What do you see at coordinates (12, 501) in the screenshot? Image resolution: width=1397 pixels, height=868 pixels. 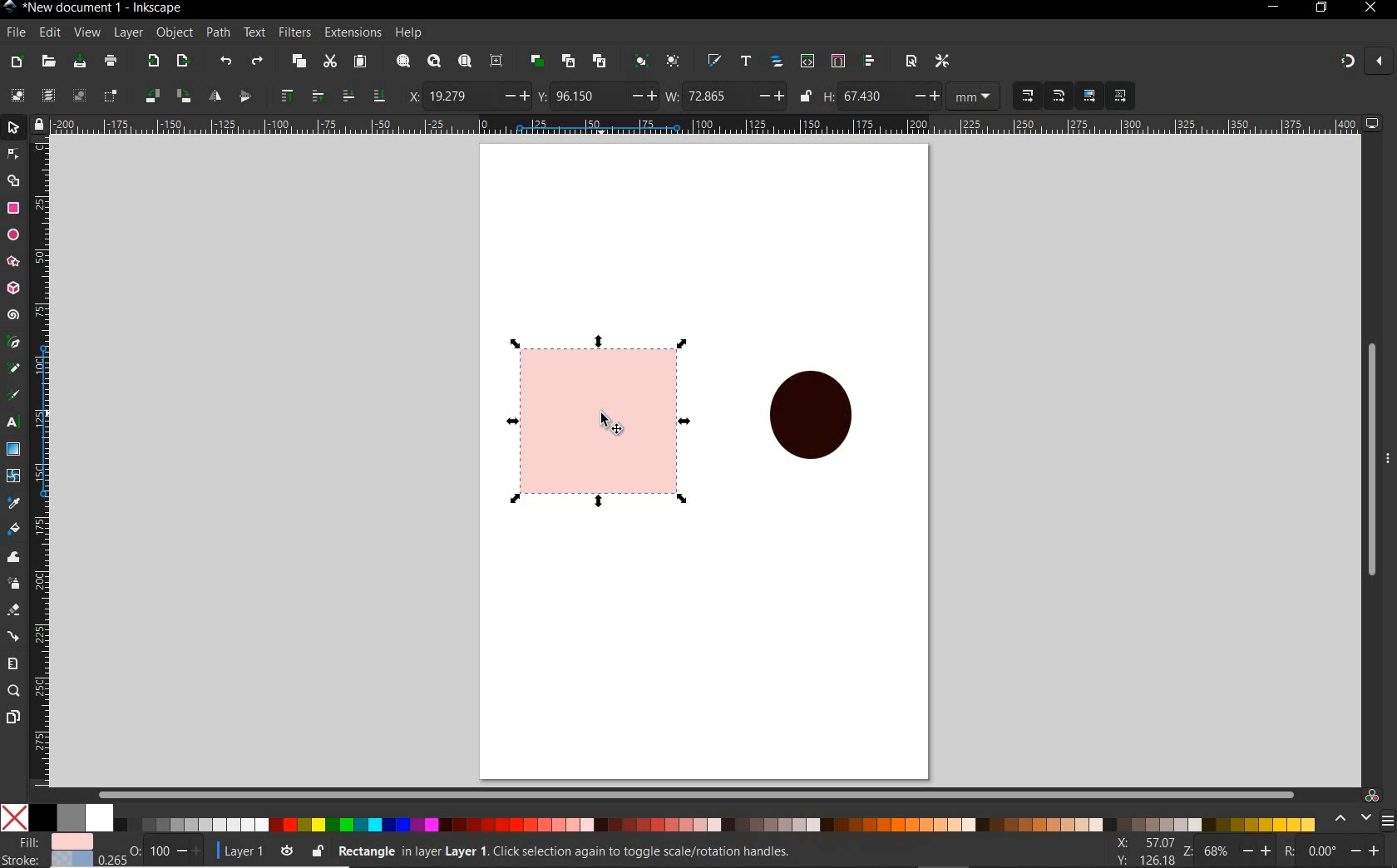 I see `dropper tool` at bounding box center [12, 501].